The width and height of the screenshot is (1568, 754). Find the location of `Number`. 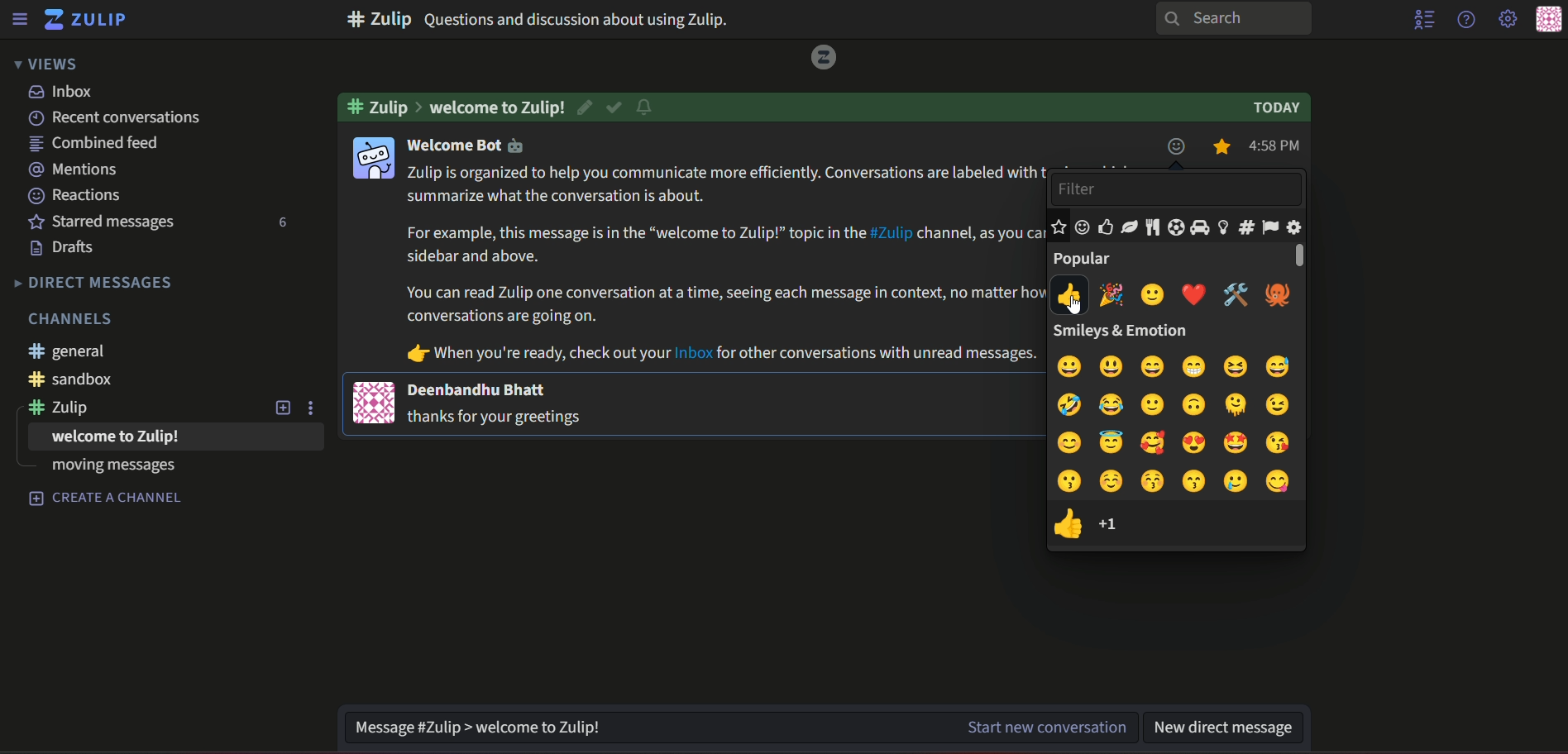

Number is located at coordinates (280, 223).